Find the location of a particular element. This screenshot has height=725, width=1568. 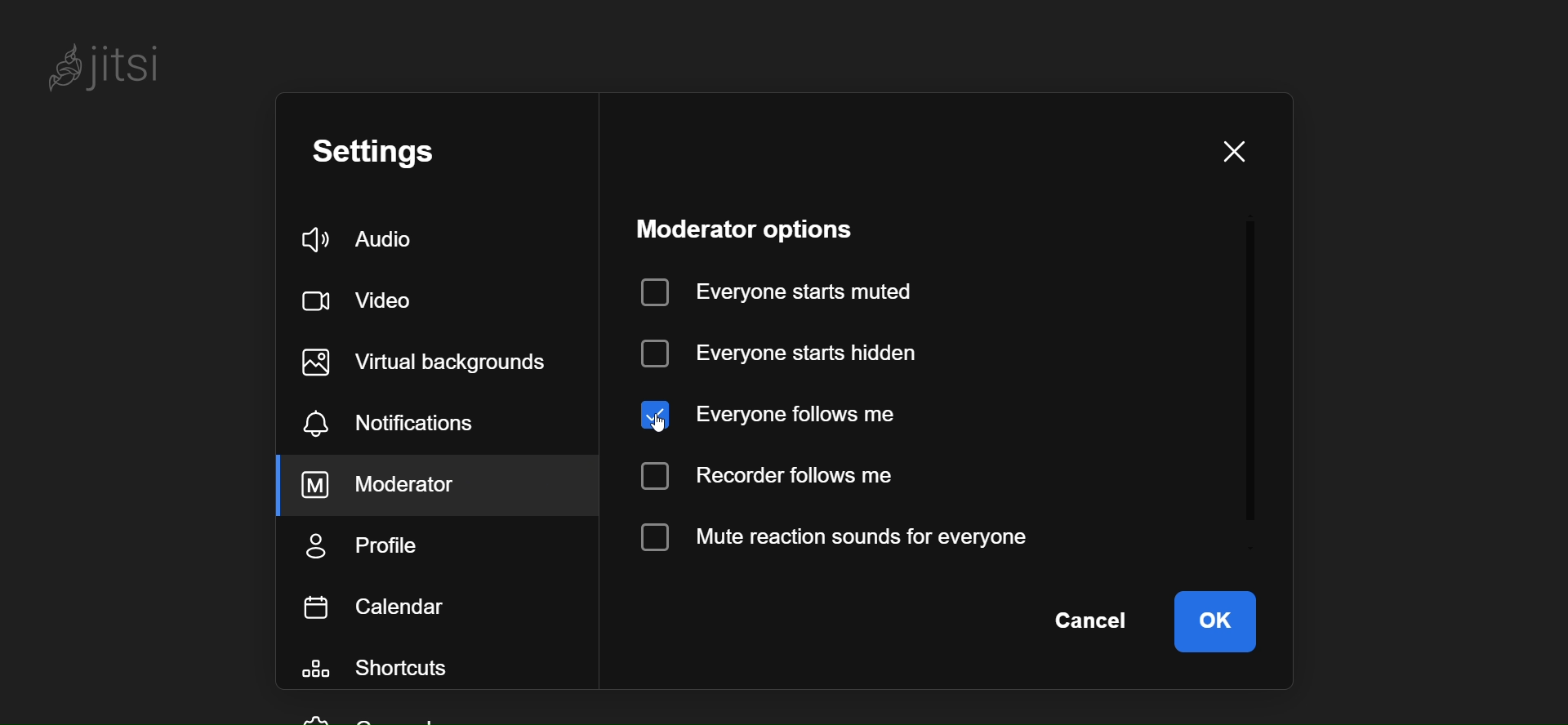

recorder follows me is located at coordinates (773, 476).